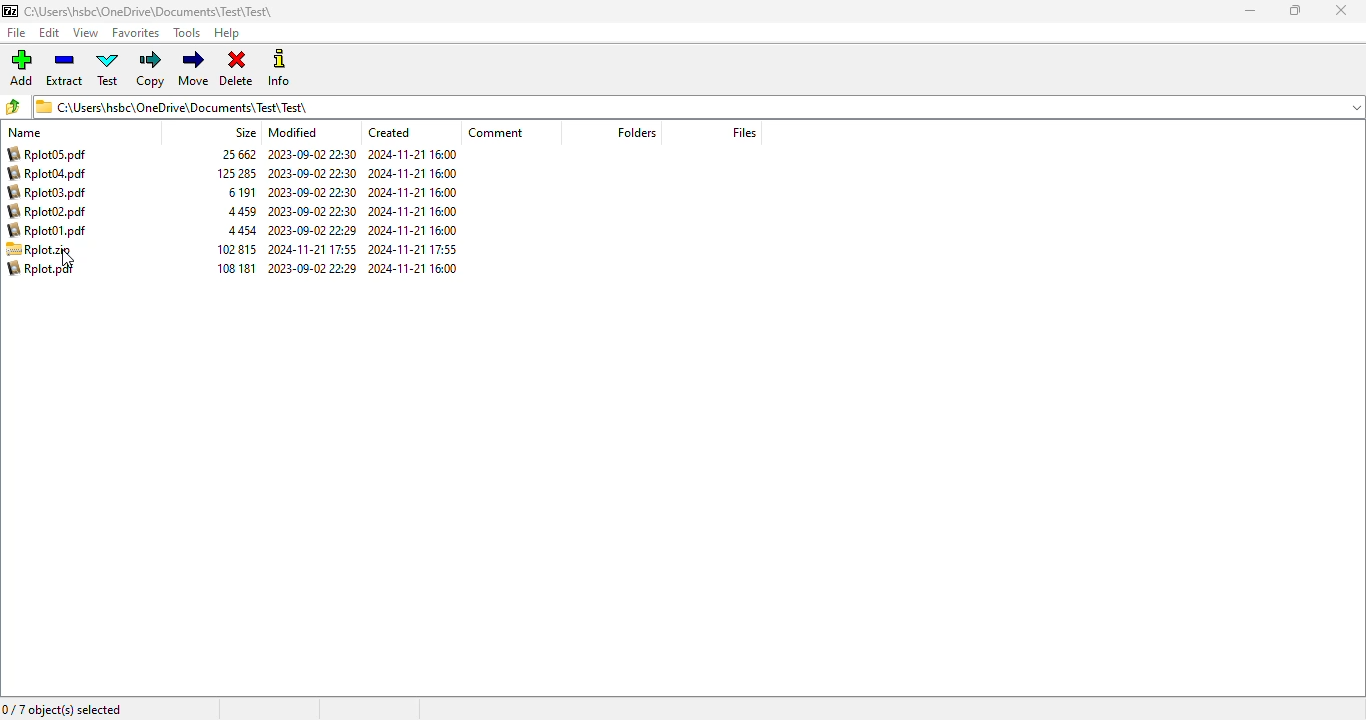  What do you see at coordinates (49, 173) in the screenshot?
I see `Rplot04.pdf` at bounding box center [49, 173].